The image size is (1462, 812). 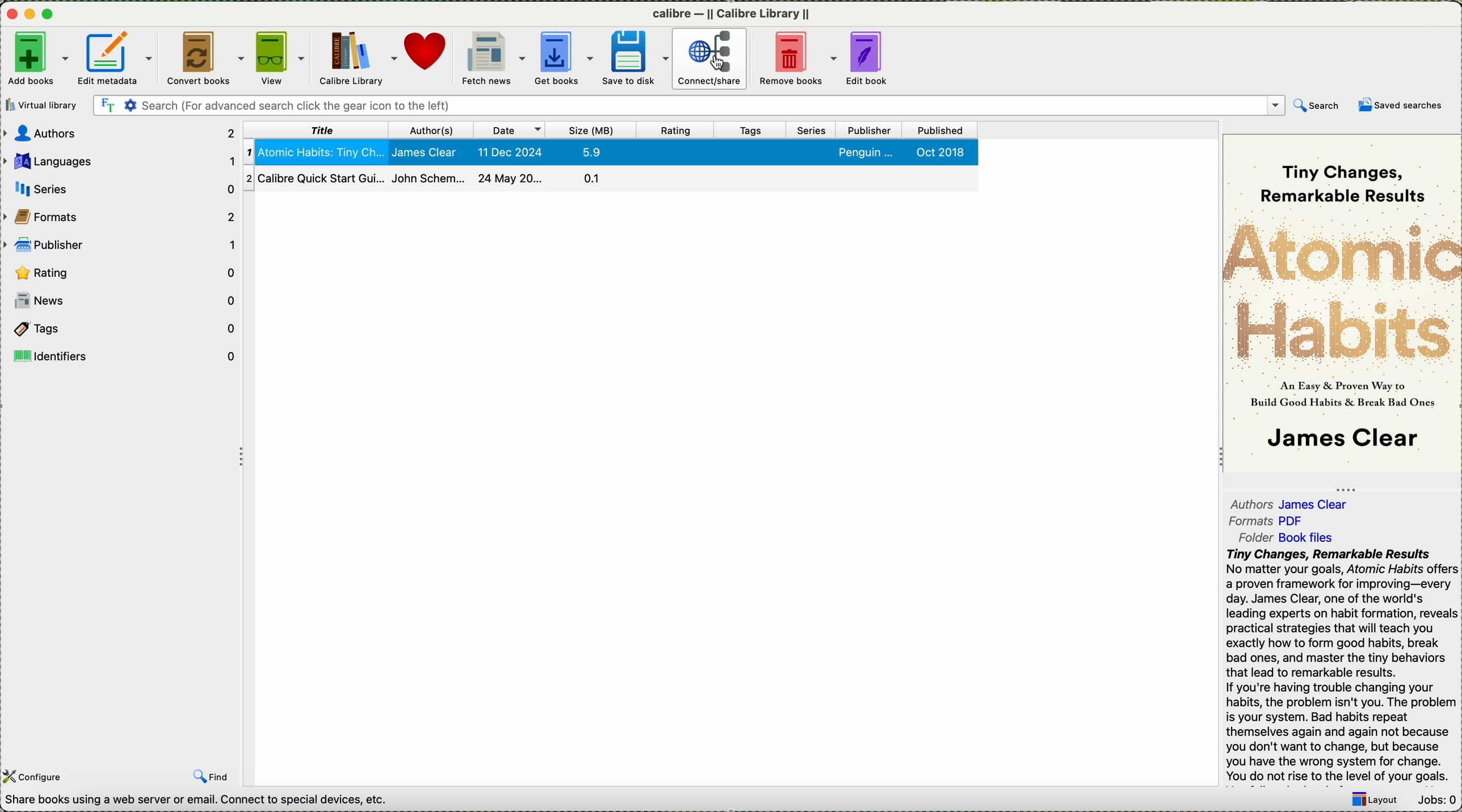 I want to click on layout, so click(x=1376, y=800).